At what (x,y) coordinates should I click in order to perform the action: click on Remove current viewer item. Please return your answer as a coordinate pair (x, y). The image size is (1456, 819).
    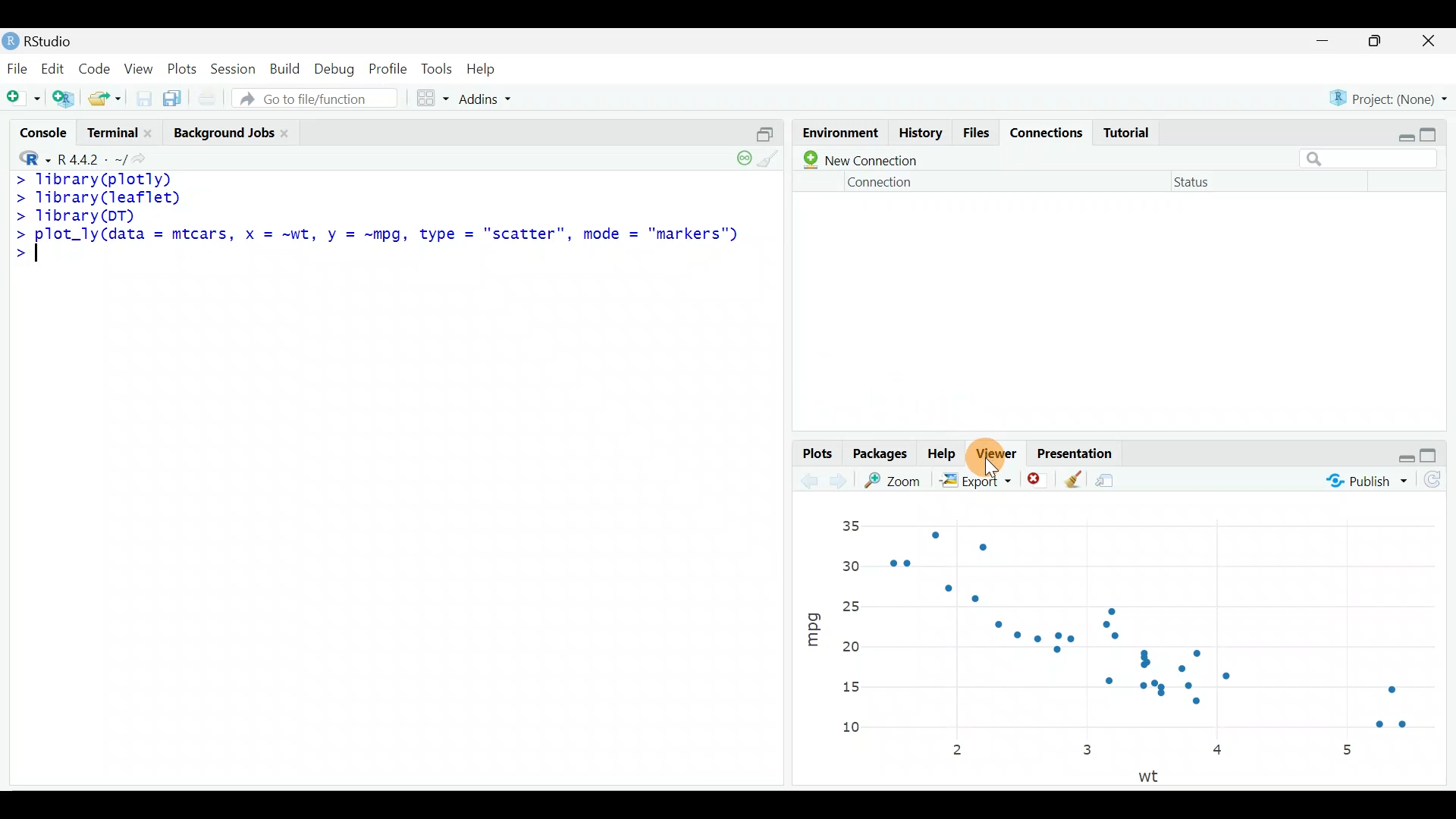
    Looking at the image, I should click on (1034, 479).